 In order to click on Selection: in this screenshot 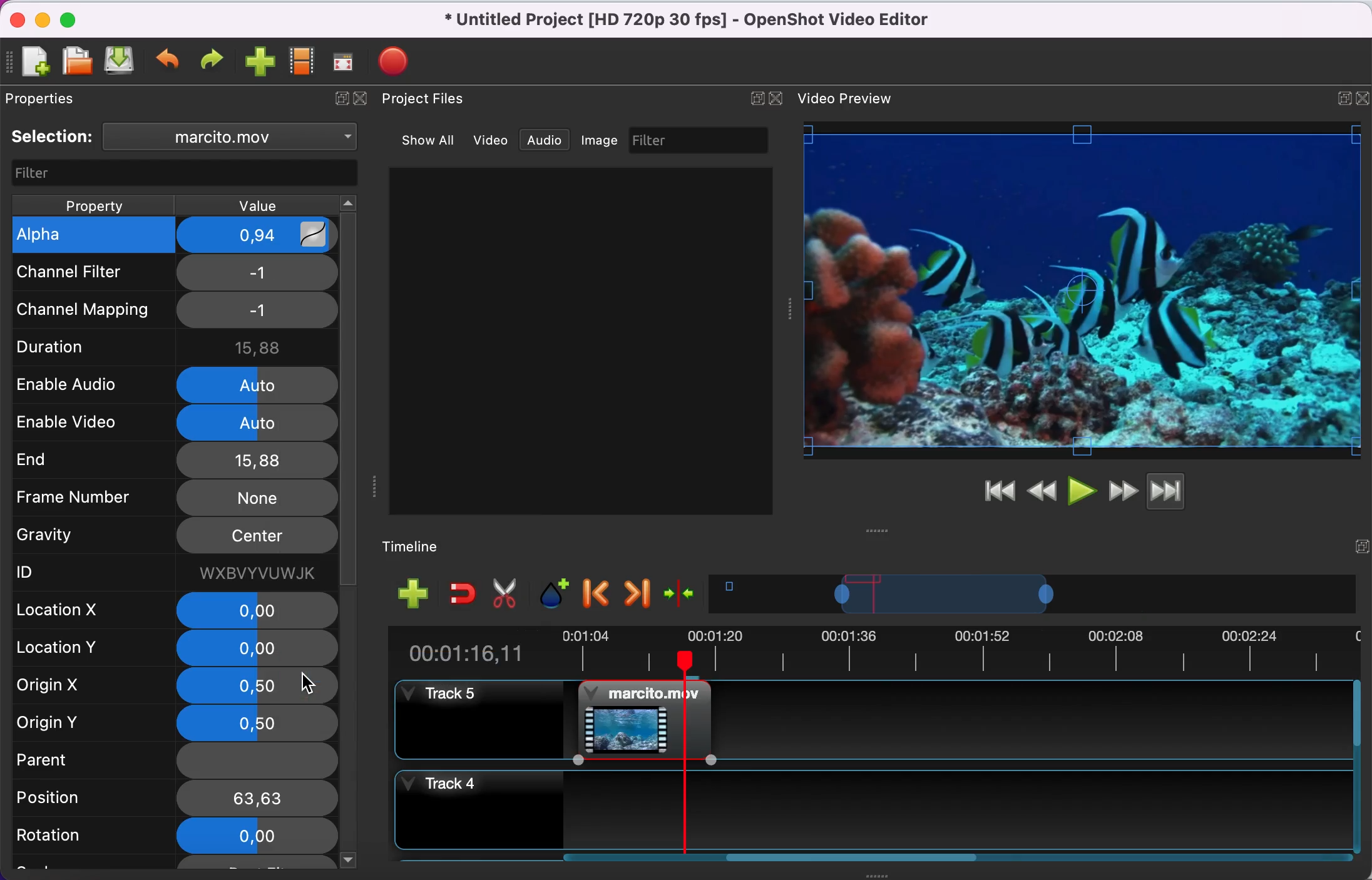, I will do `click(54, 138)`.